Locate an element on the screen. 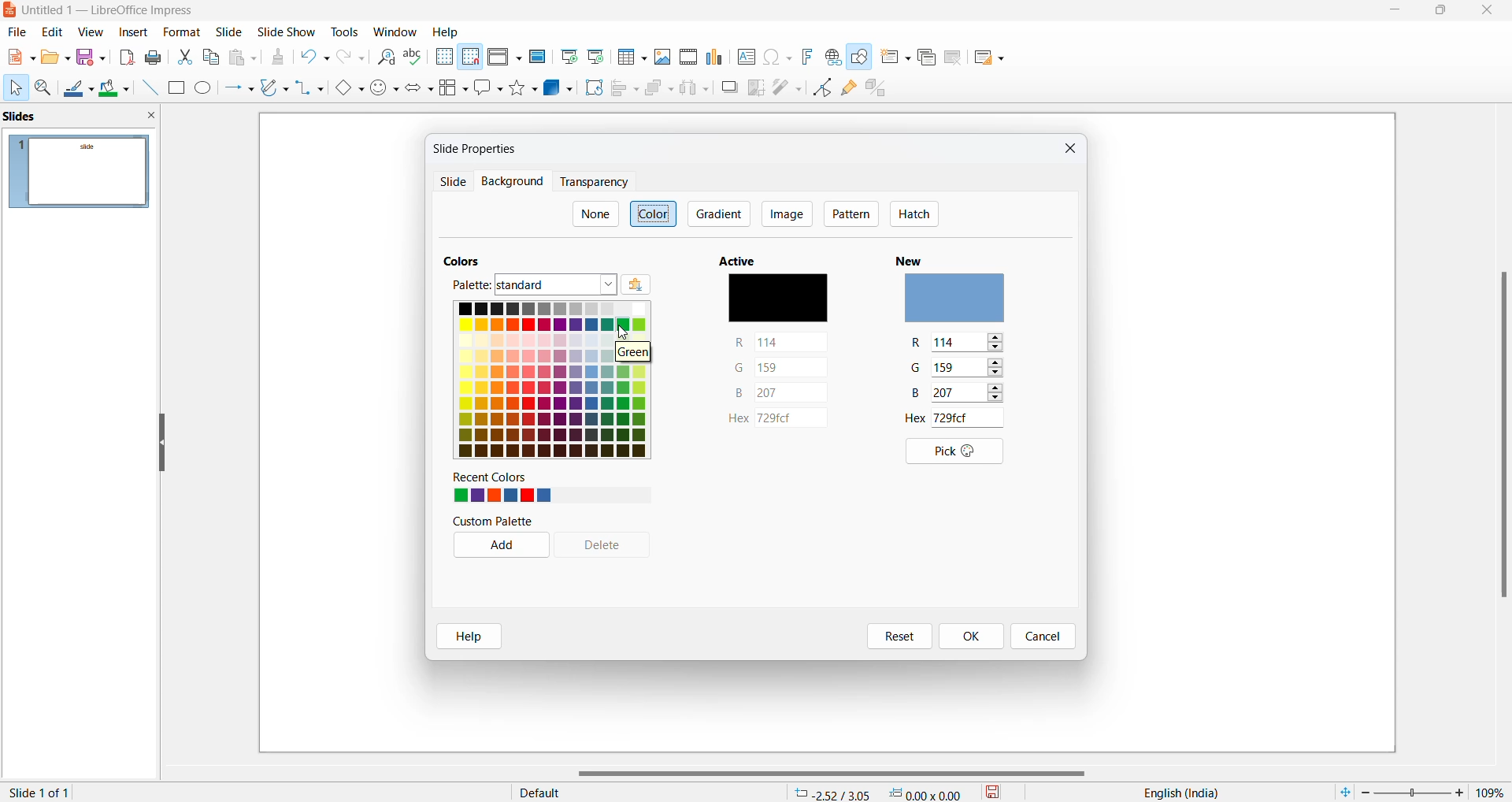 This screenshot has height=802, width=1512. cut is located at coordinates (186, 56).